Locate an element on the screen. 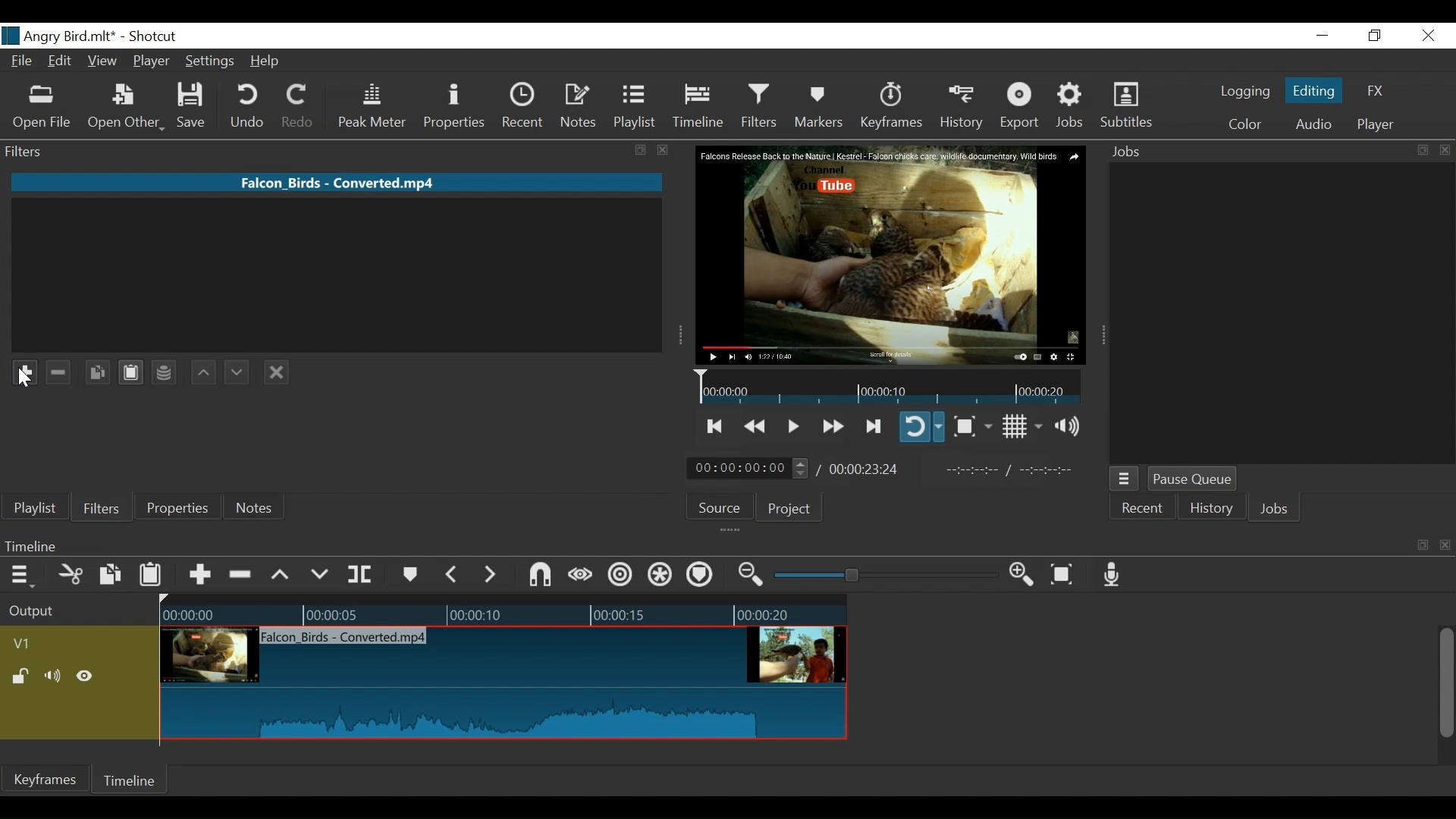  Source is located at coordinates (725, 506).